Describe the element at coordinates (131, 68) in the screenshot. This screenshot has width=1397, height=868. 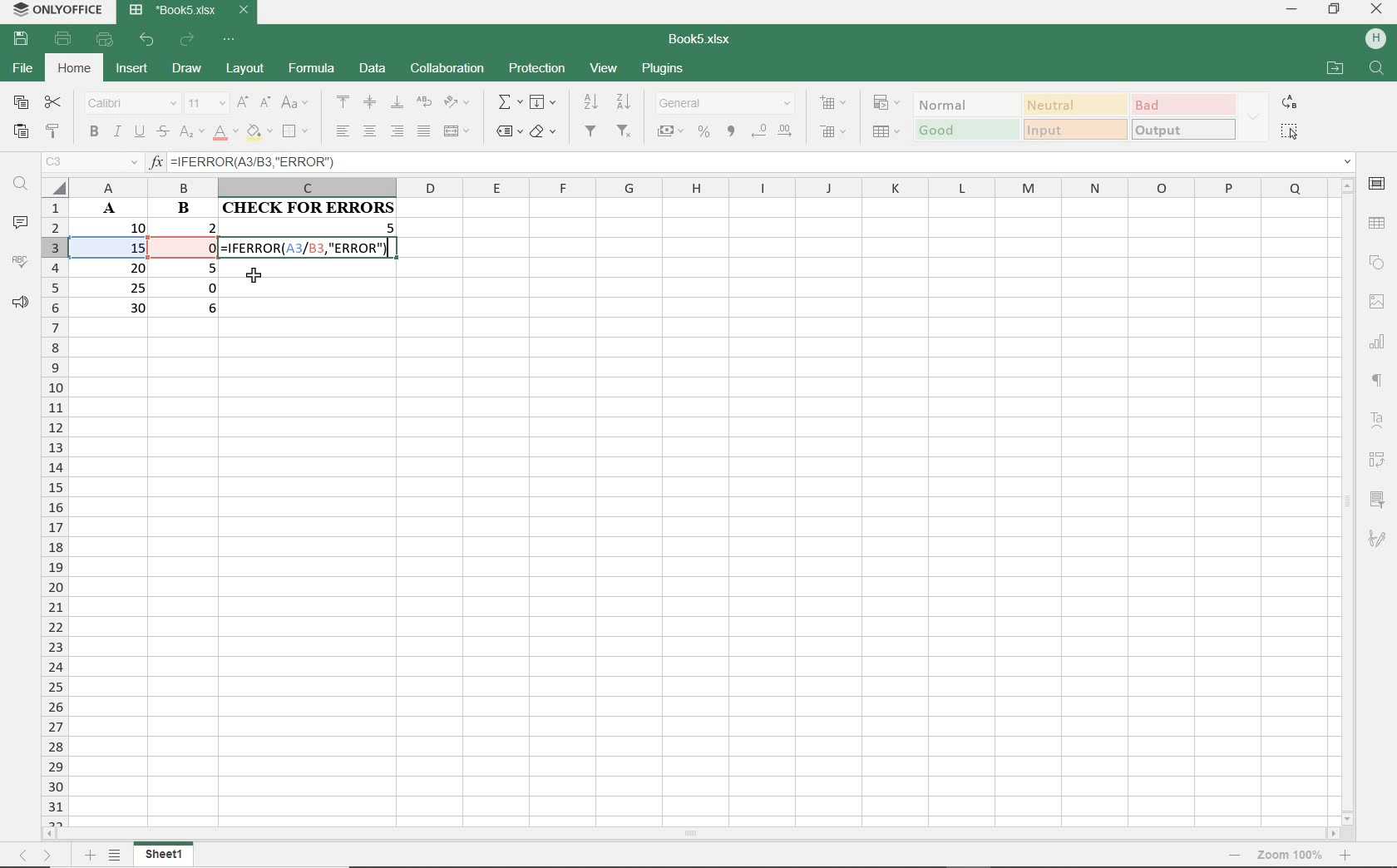
I see `INSERT` at that location.